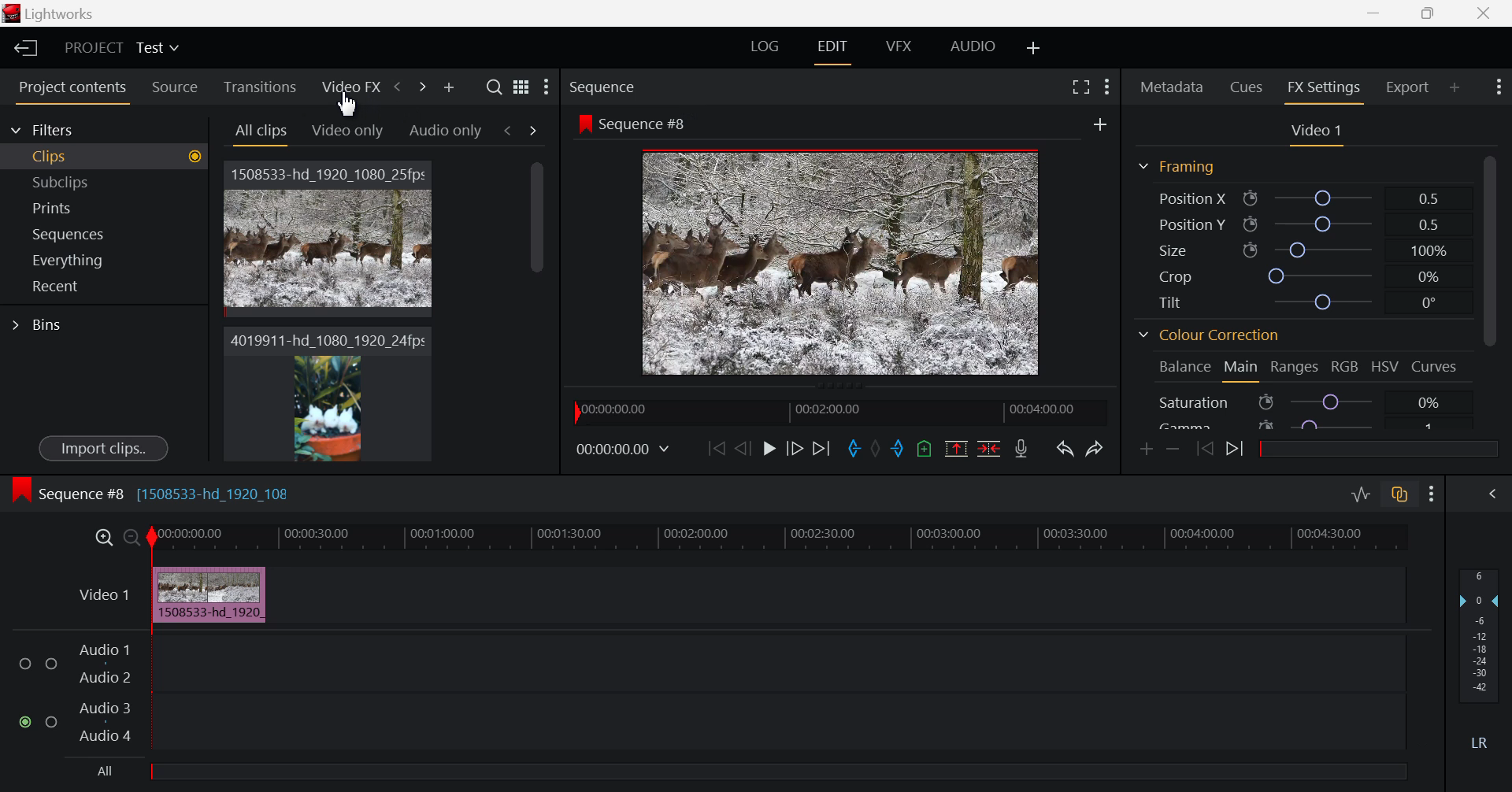  I want to click on Play, so click(767, 451).